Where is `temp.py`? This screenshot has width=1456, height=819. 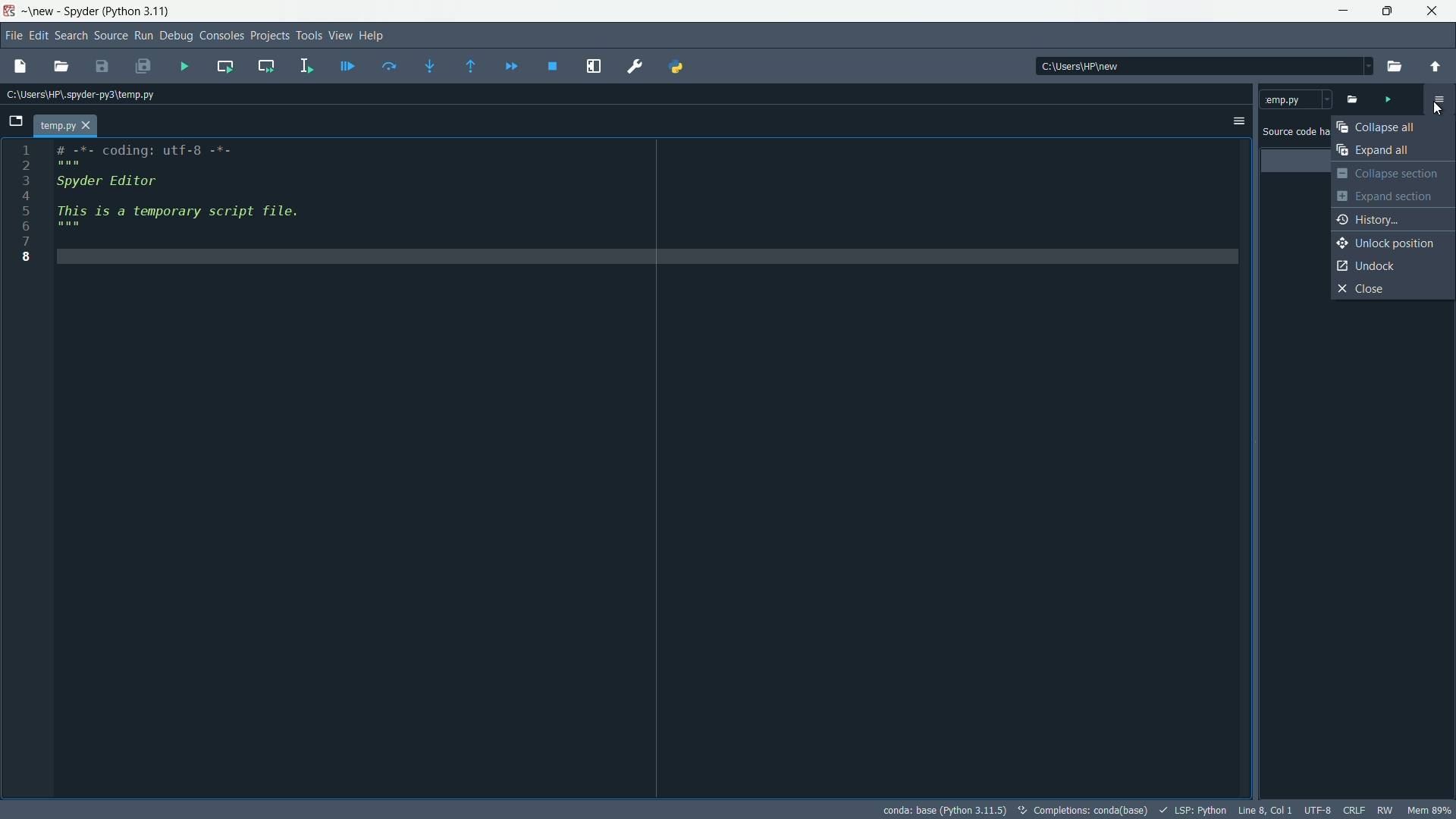
temp.py is located at coordinates (1295, 99).